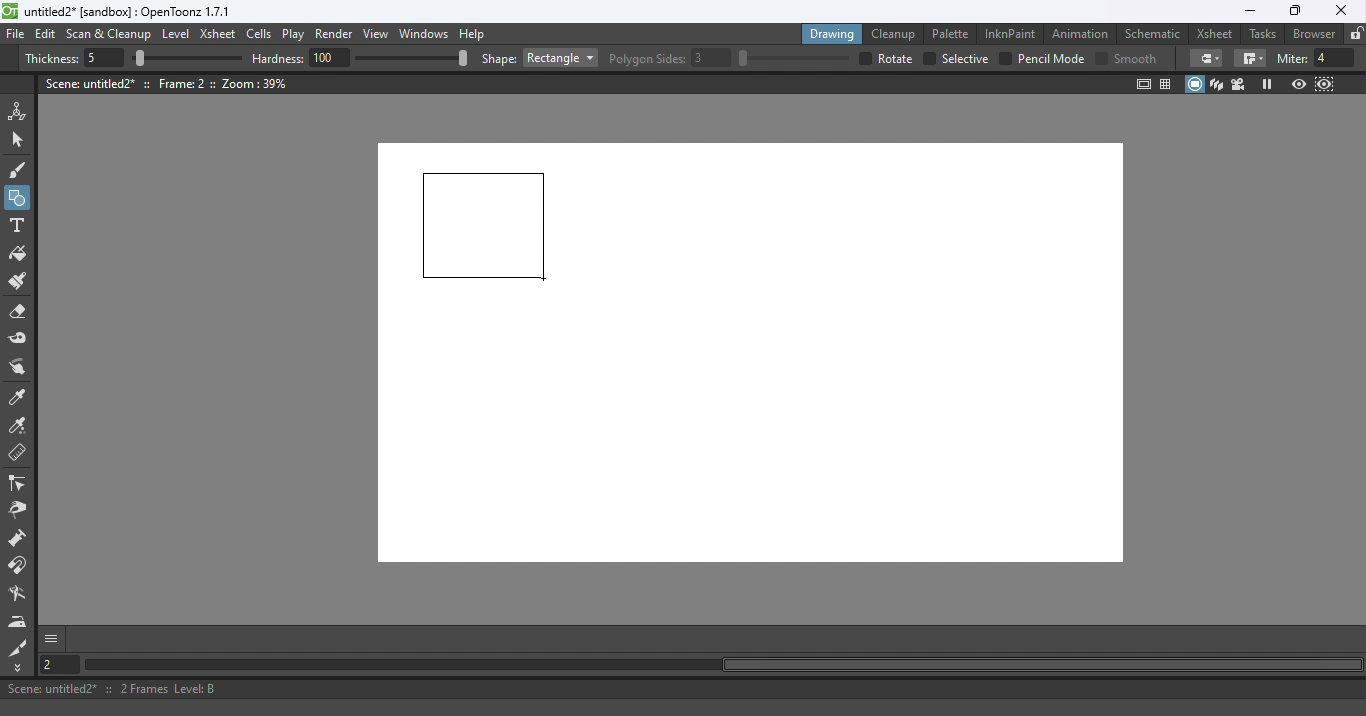  Describe the element at coordinates (863, 58) in the screenshot. I see `checkbox` at that location.